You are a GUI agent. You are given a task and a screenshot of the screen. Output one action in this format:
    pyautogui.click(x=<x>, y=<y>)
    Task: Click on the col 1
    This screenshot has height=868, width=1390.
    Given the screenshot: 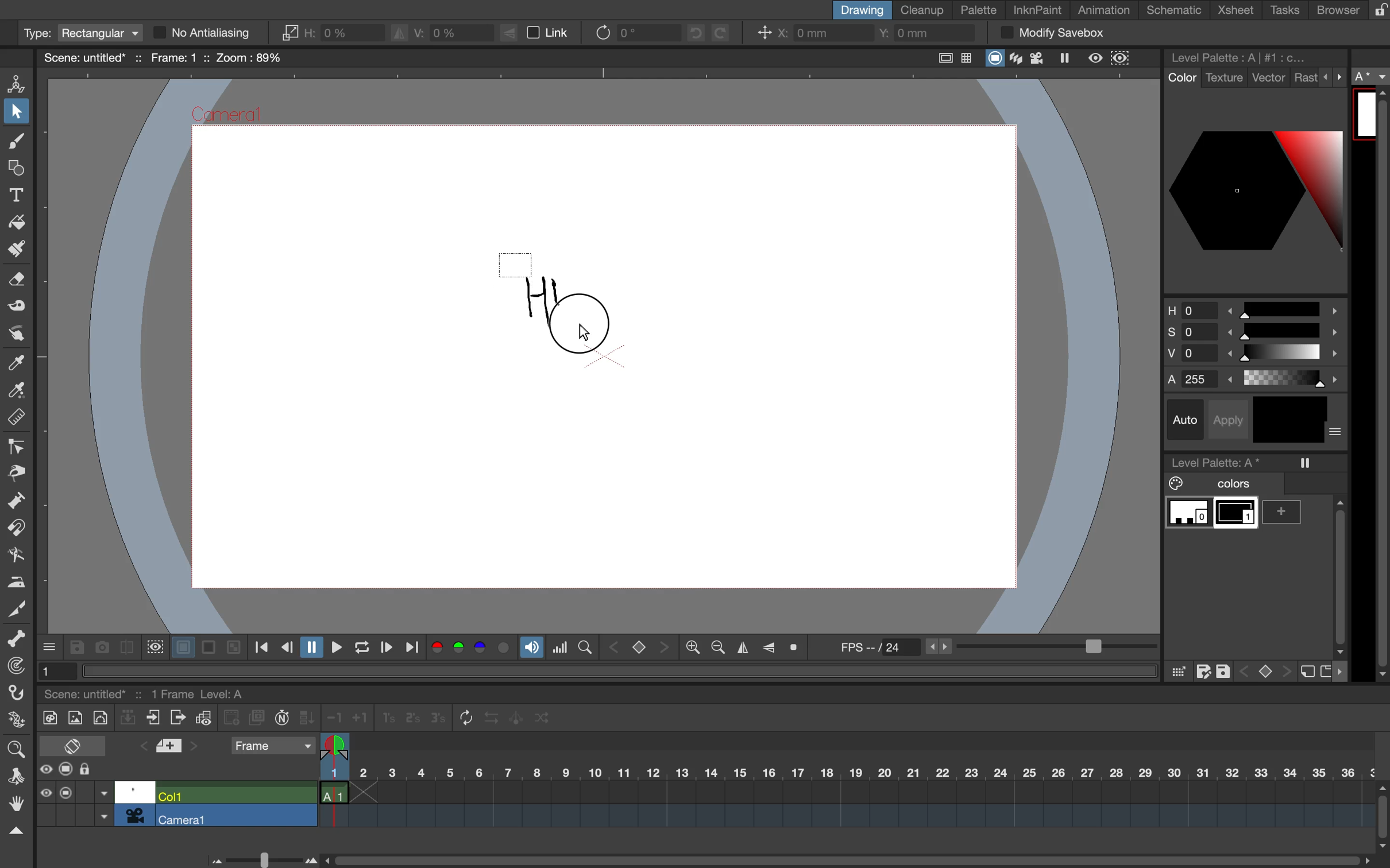 What is the action you would take?
    pyautogui.click(x=234, y=795)
    